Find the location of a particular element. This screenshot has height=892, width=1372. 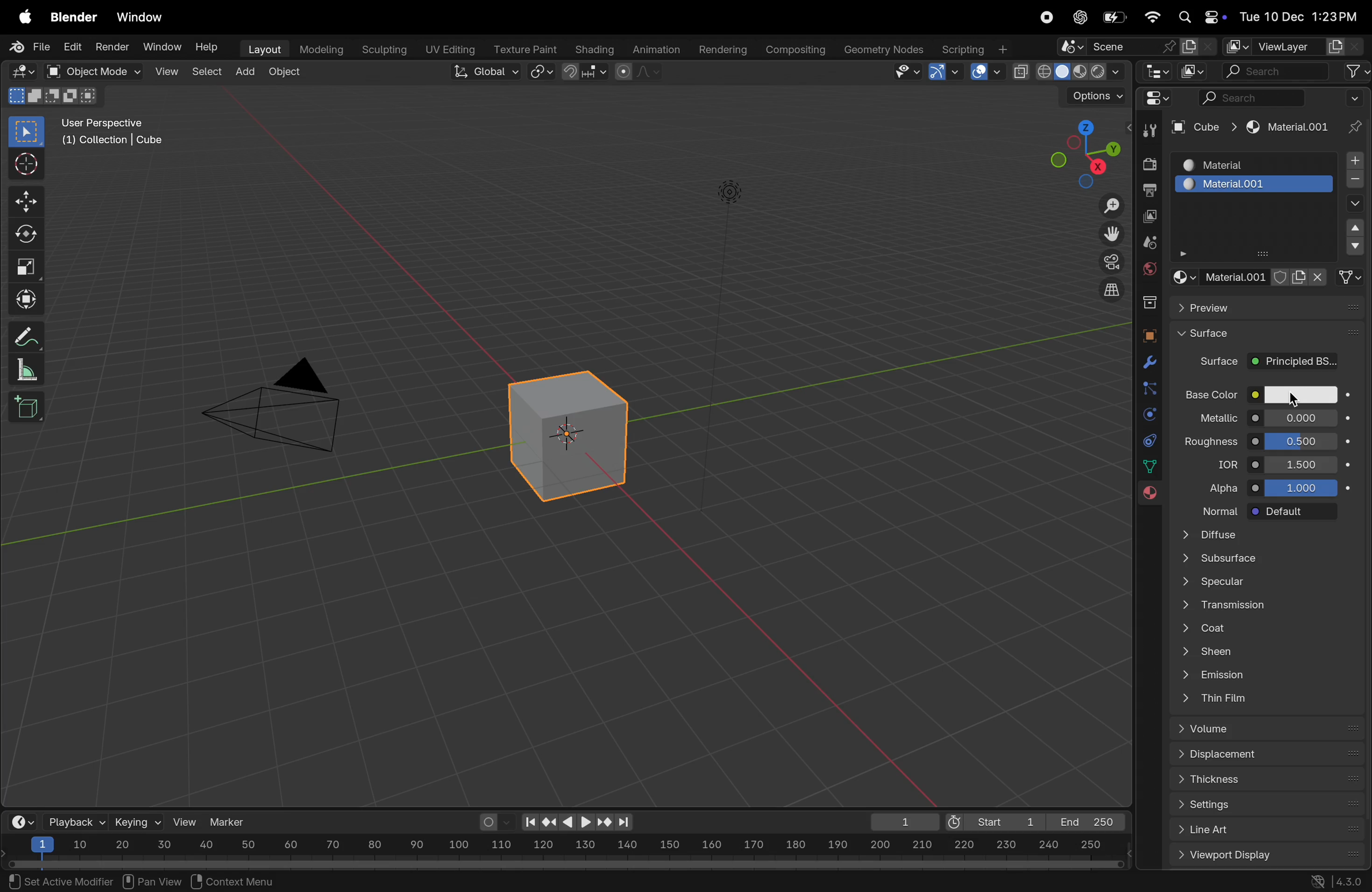

proportional editing objects is located at coordinates (640, 73).